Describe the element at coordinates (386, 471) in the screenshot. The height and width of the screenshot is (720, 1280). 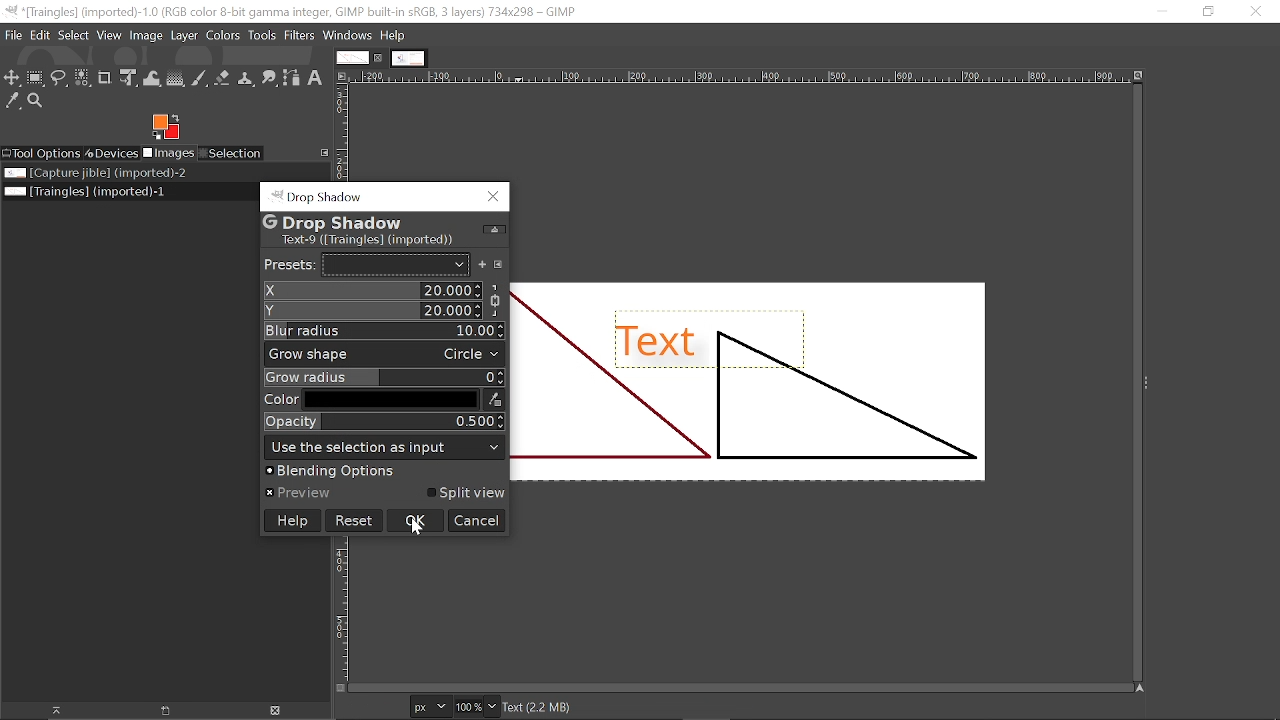
I see `Blending options` at that location.